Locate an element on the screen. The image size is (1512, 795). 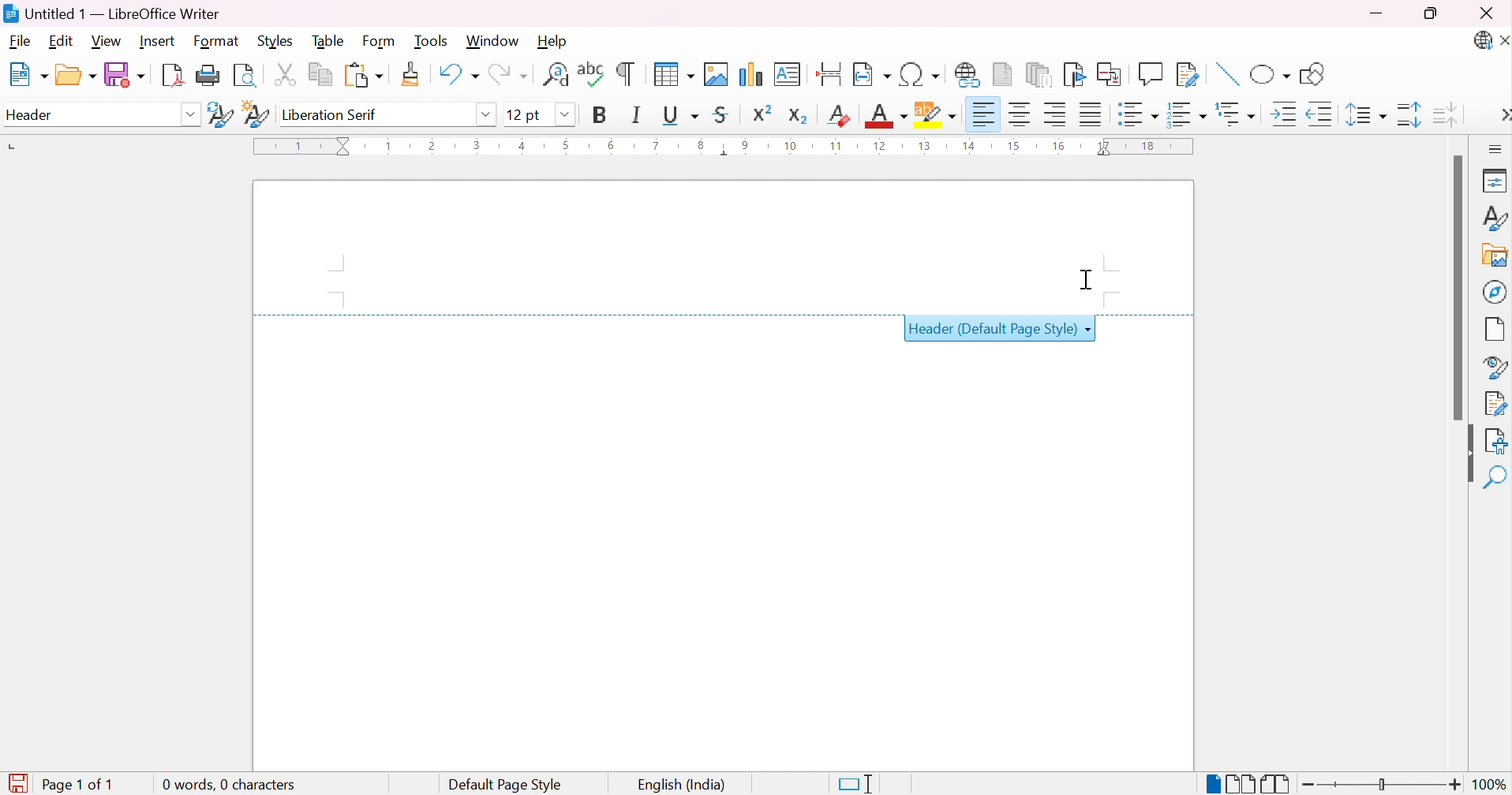
Decrease indent is located at coordinates (1320, 114).